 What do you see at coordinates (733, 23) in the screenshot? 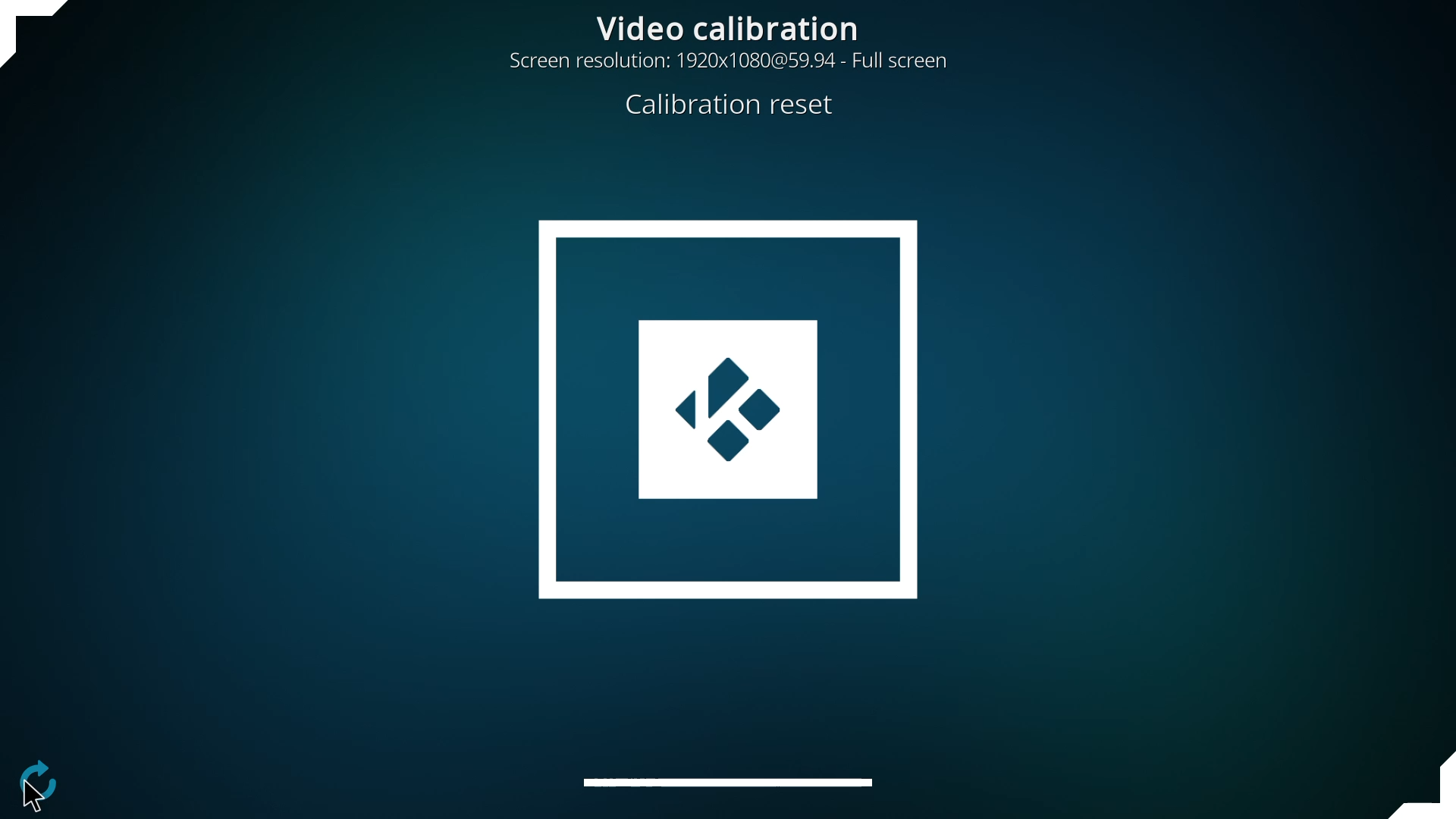
I see `video calibration` at bounding box center [733, 23].